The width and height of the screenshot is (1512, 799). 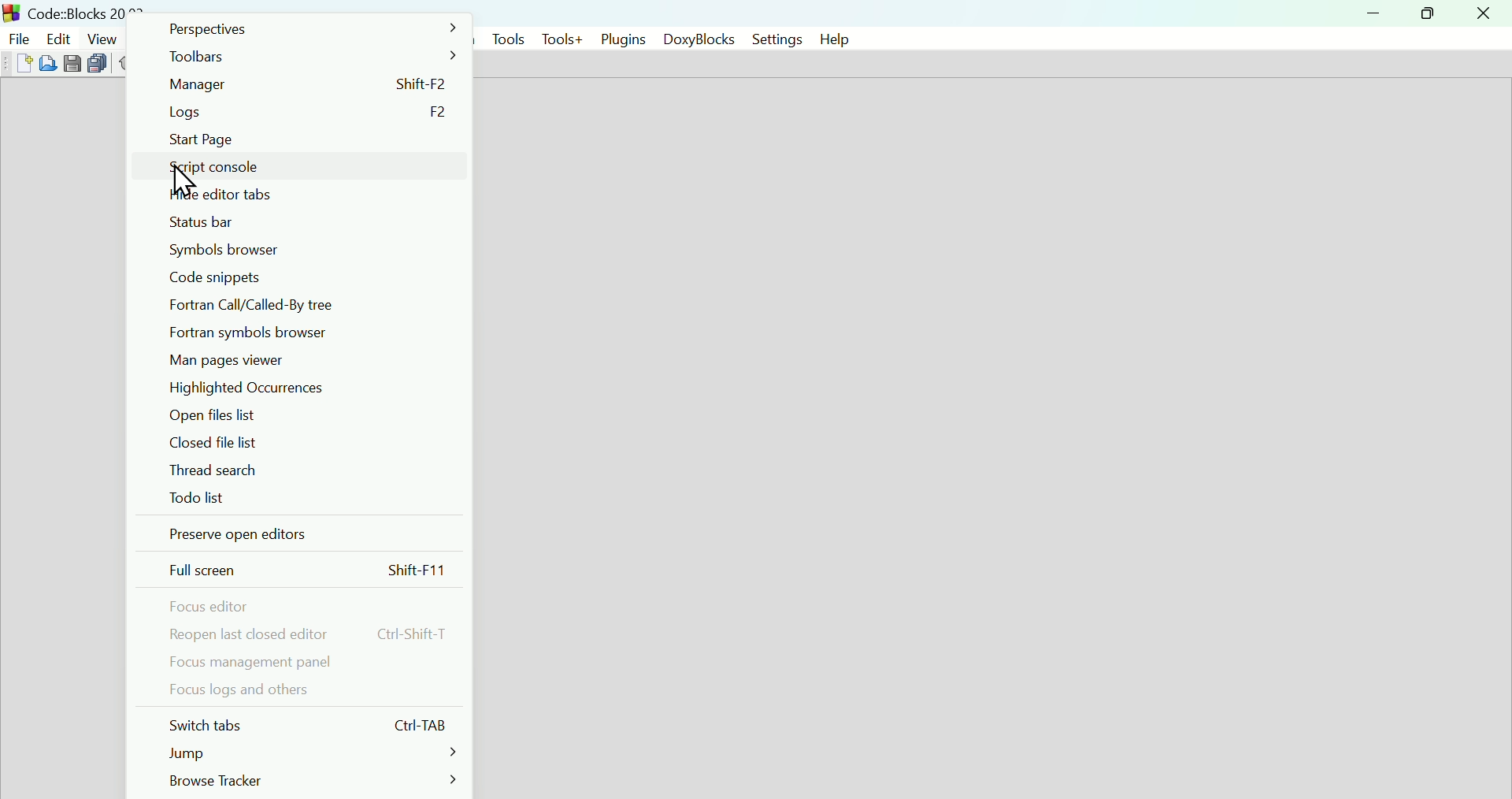 What do you see at coordinates (505, 38) in the screenshot?
I see `Tools` at bounding box center [505, 38].